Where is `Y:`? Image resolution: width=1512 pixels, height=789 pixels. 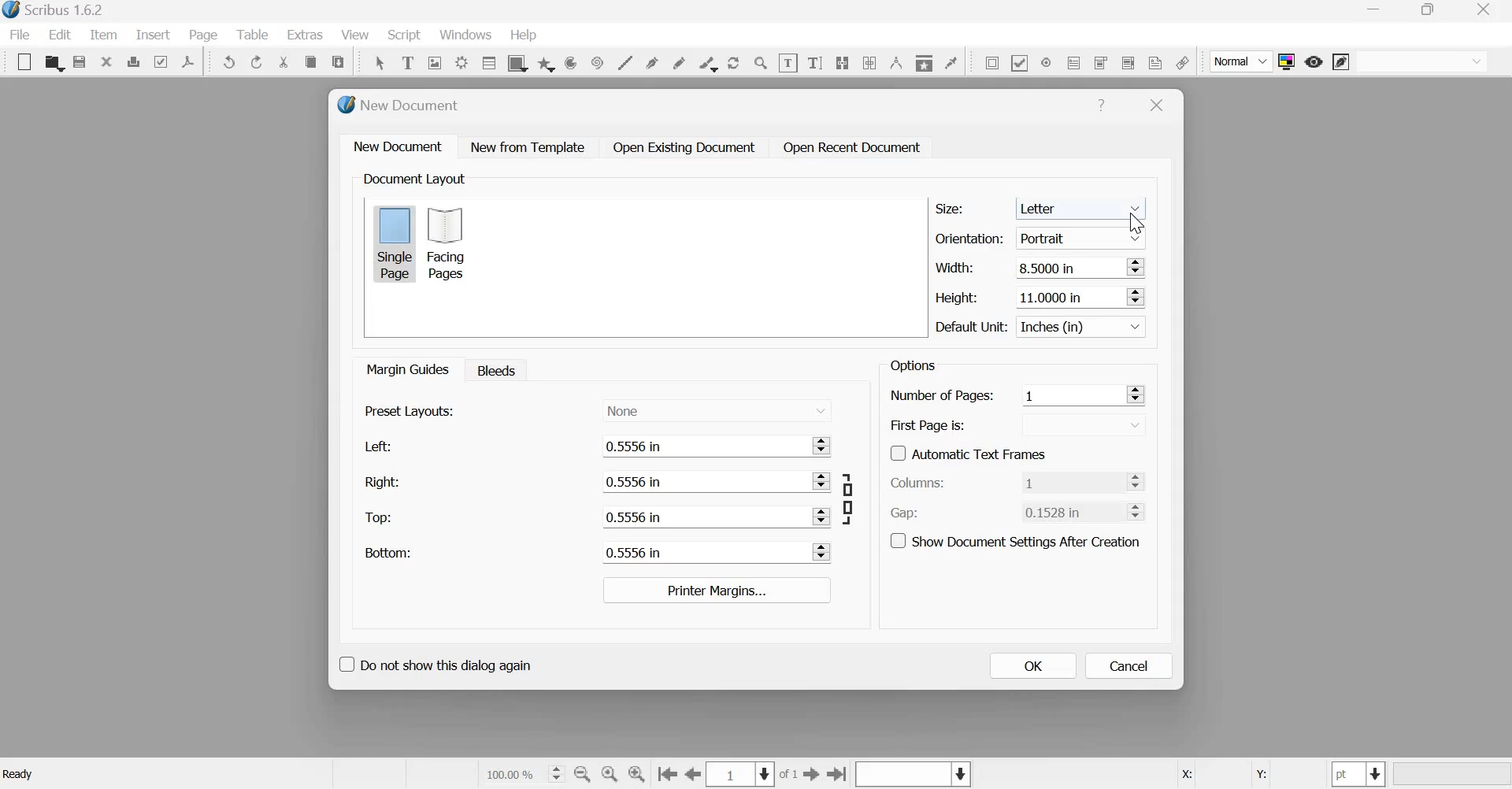 Y: is located at coordinates (1258, 775).